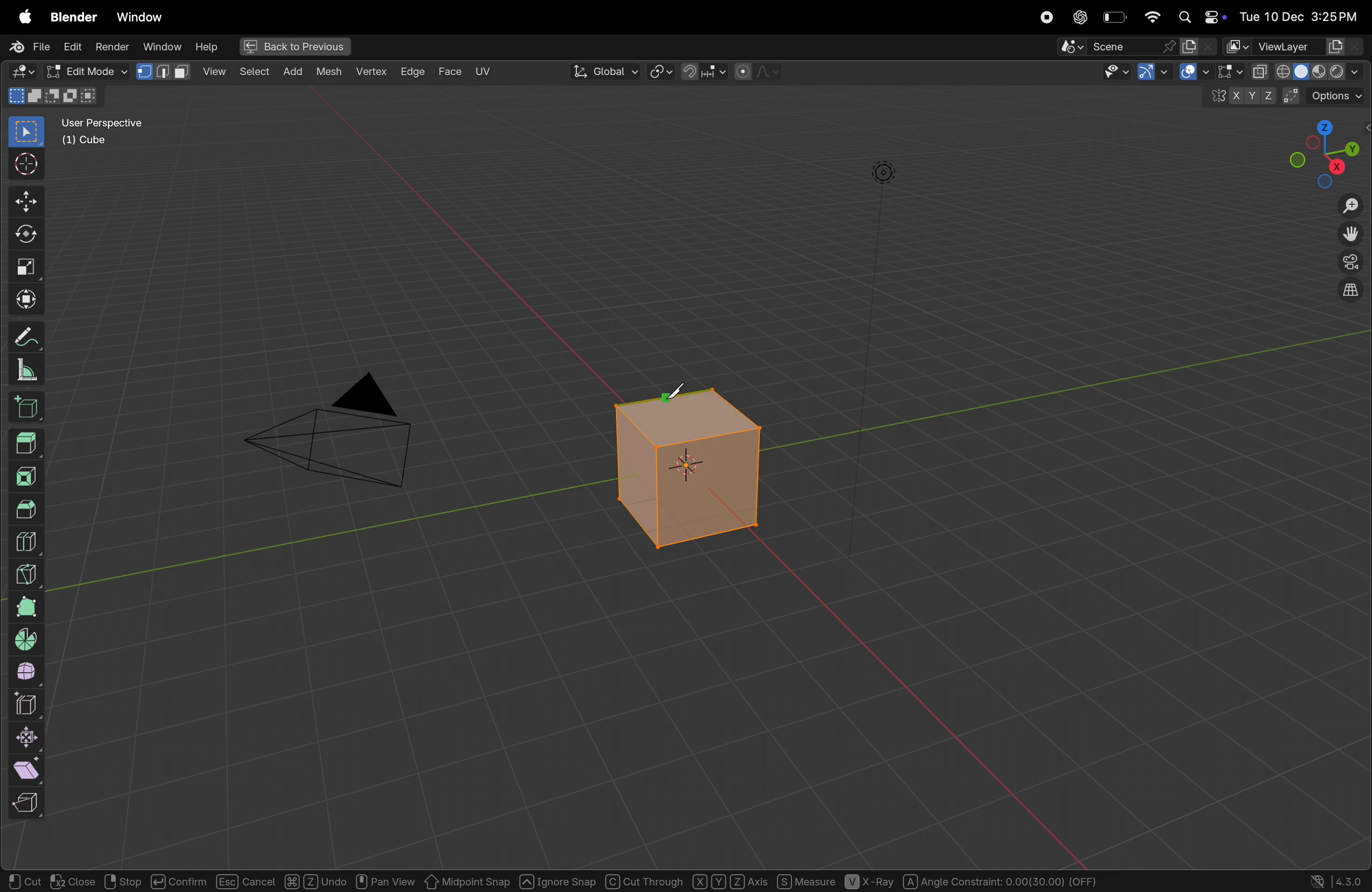  What do you see at coordinates (25, 881) in the screenshot?
I see `Cut` at bounding box center [25, 881].